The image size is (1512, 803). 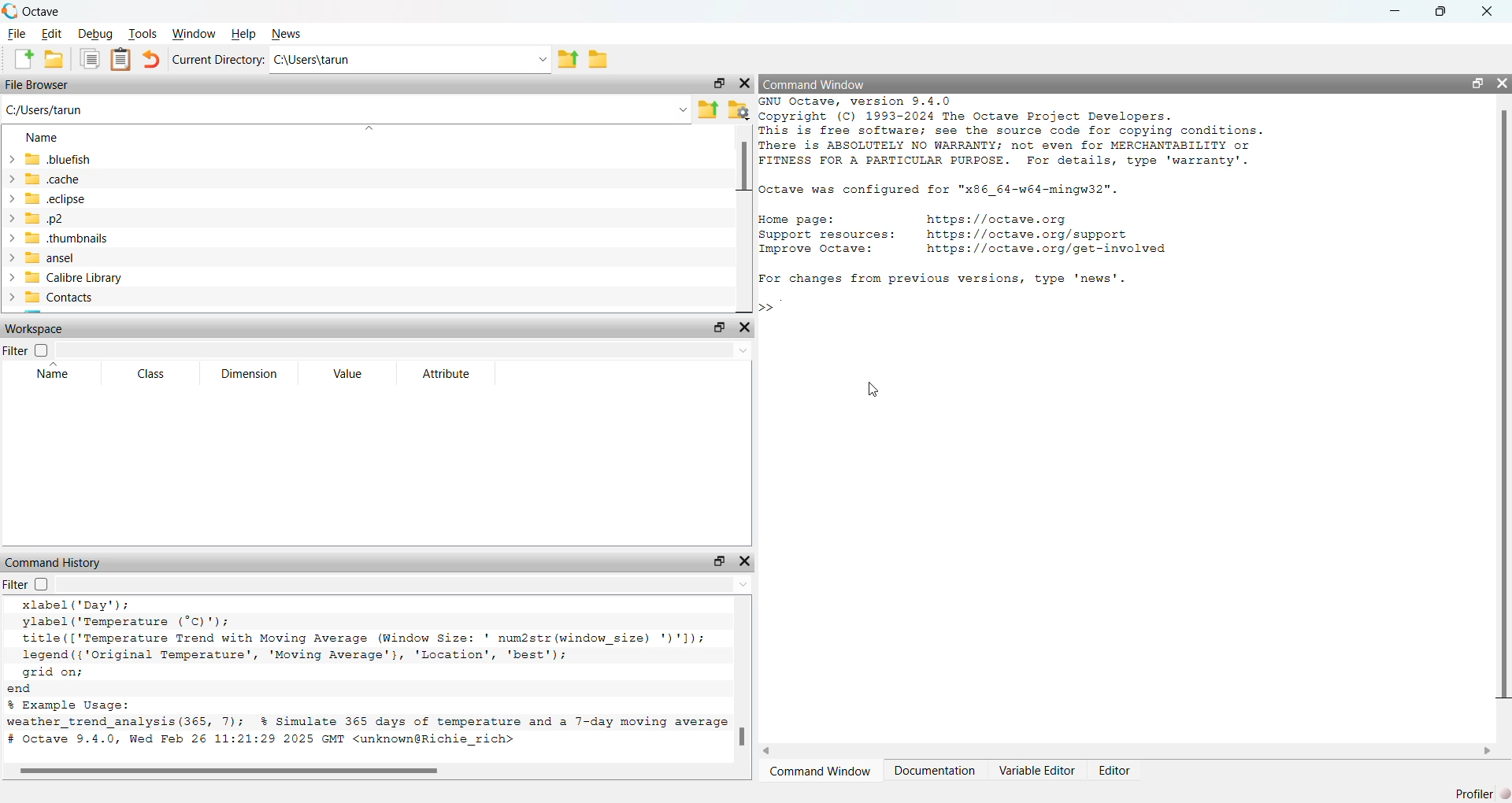 What do you see at coordinates (54, 58) in the screenshot?
I see `save as` at bounding box center [54, 58].